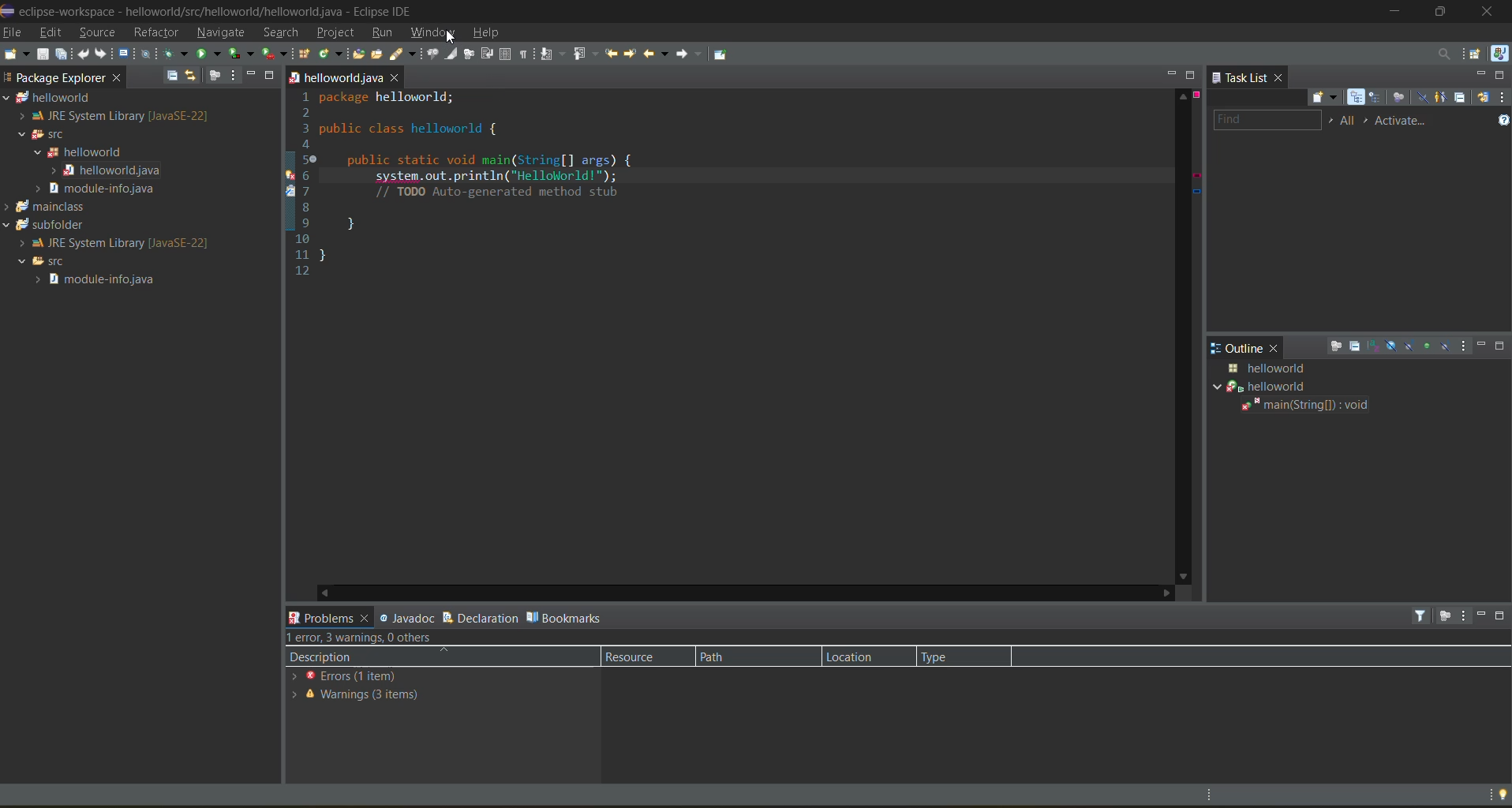 The image size is (1512, 808). What do you see at coordinates (1398, 97) in the screenshot?
I see `focus on workweek` at bounding box center [1398, 97].